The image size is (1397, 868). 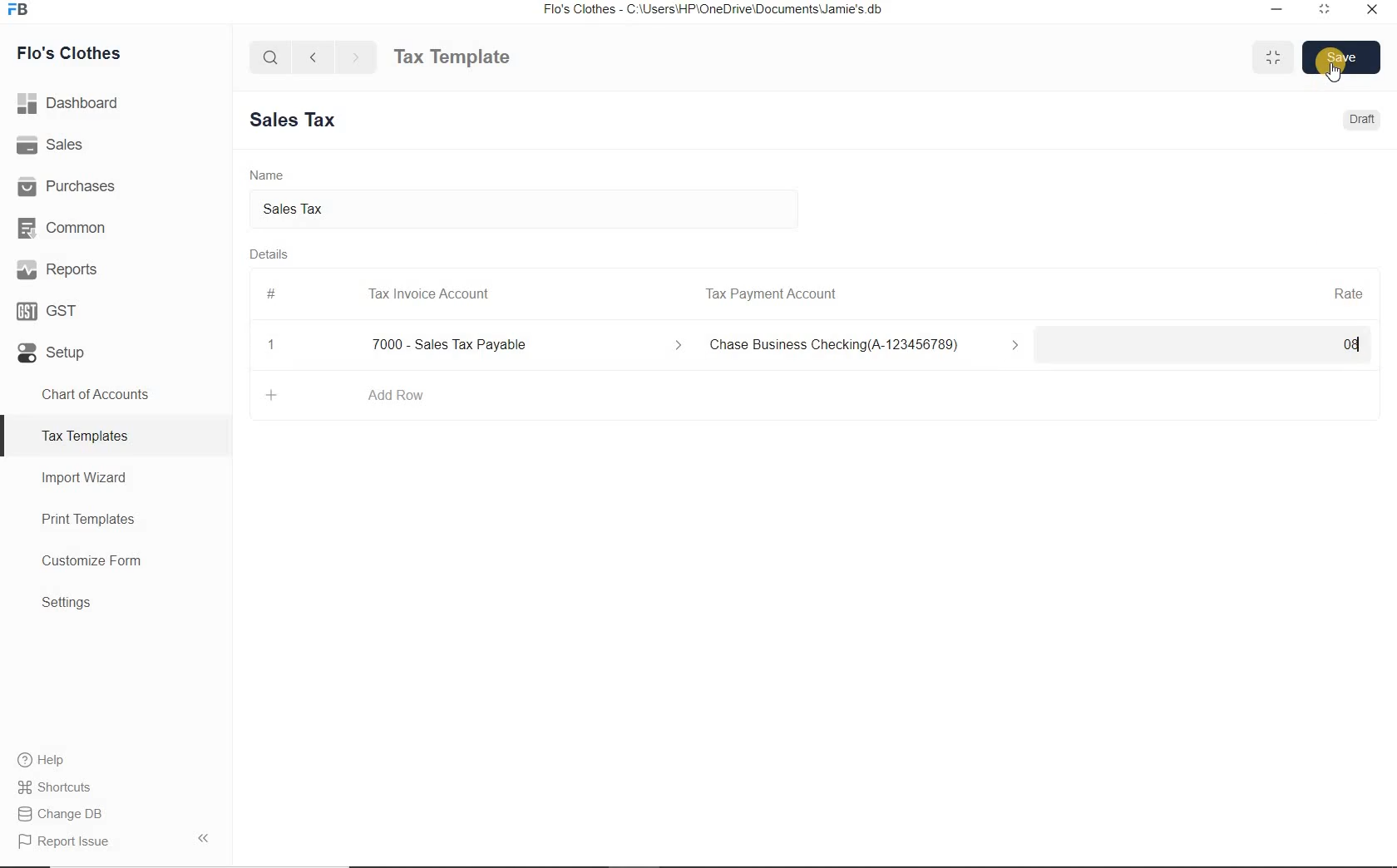 I want to click on Setup, so click(x=116, y=349).